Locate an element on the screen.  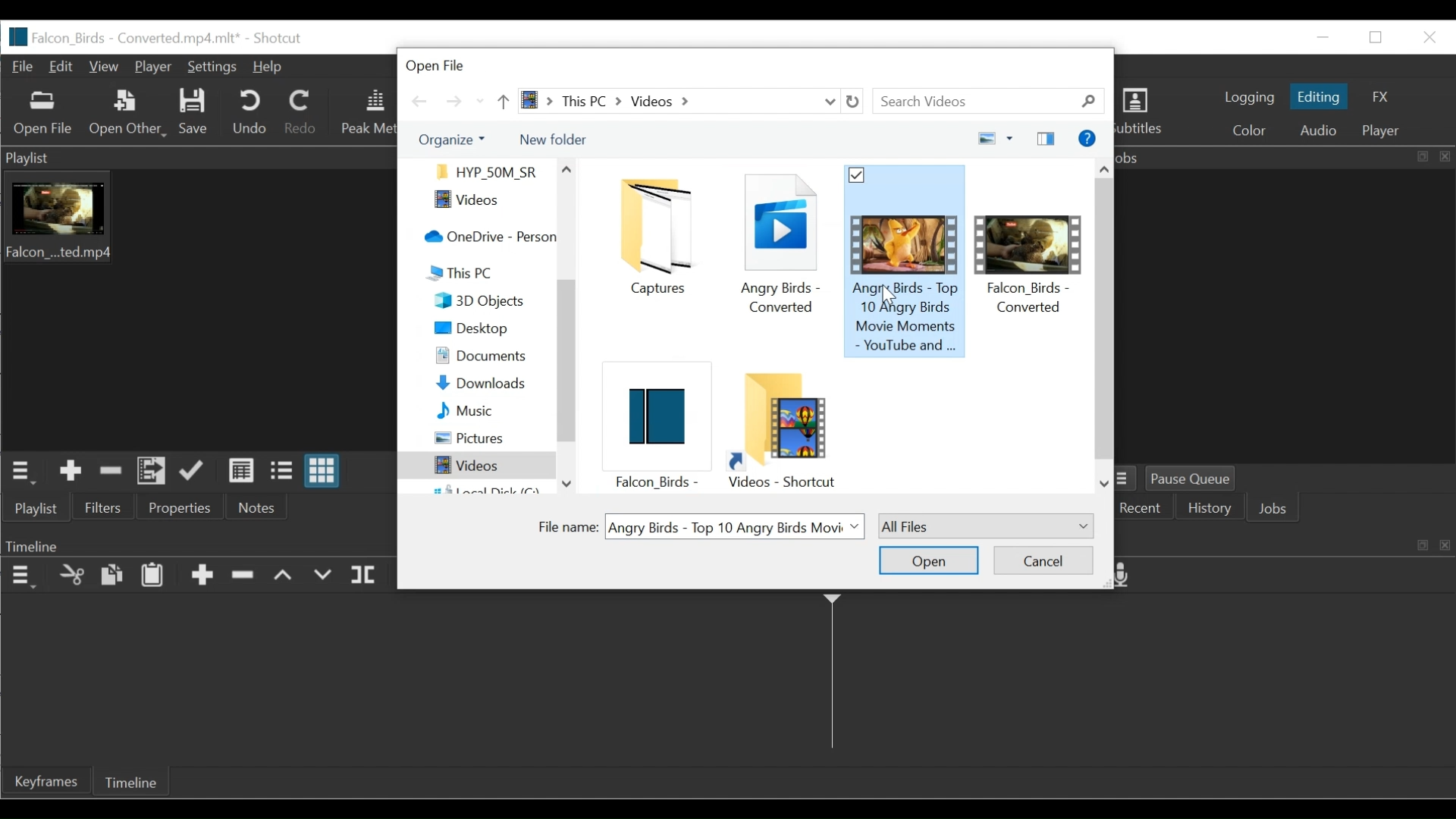
Cursor is located at coordinates (891, 297).